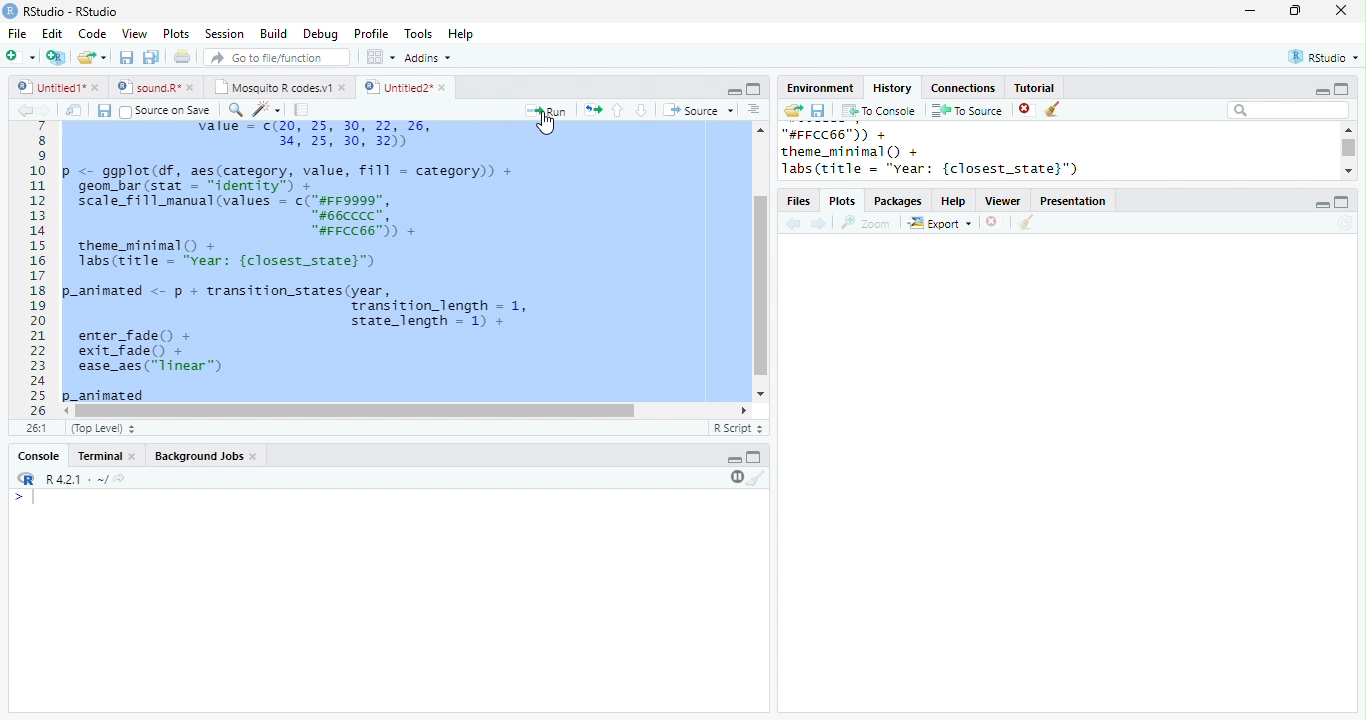 Image resolution: width=1366 pixels, height=720 pixels. What do you see at coordinates (98, 89) in the screenshot?
I see `close` at bounding box center [98, 89].